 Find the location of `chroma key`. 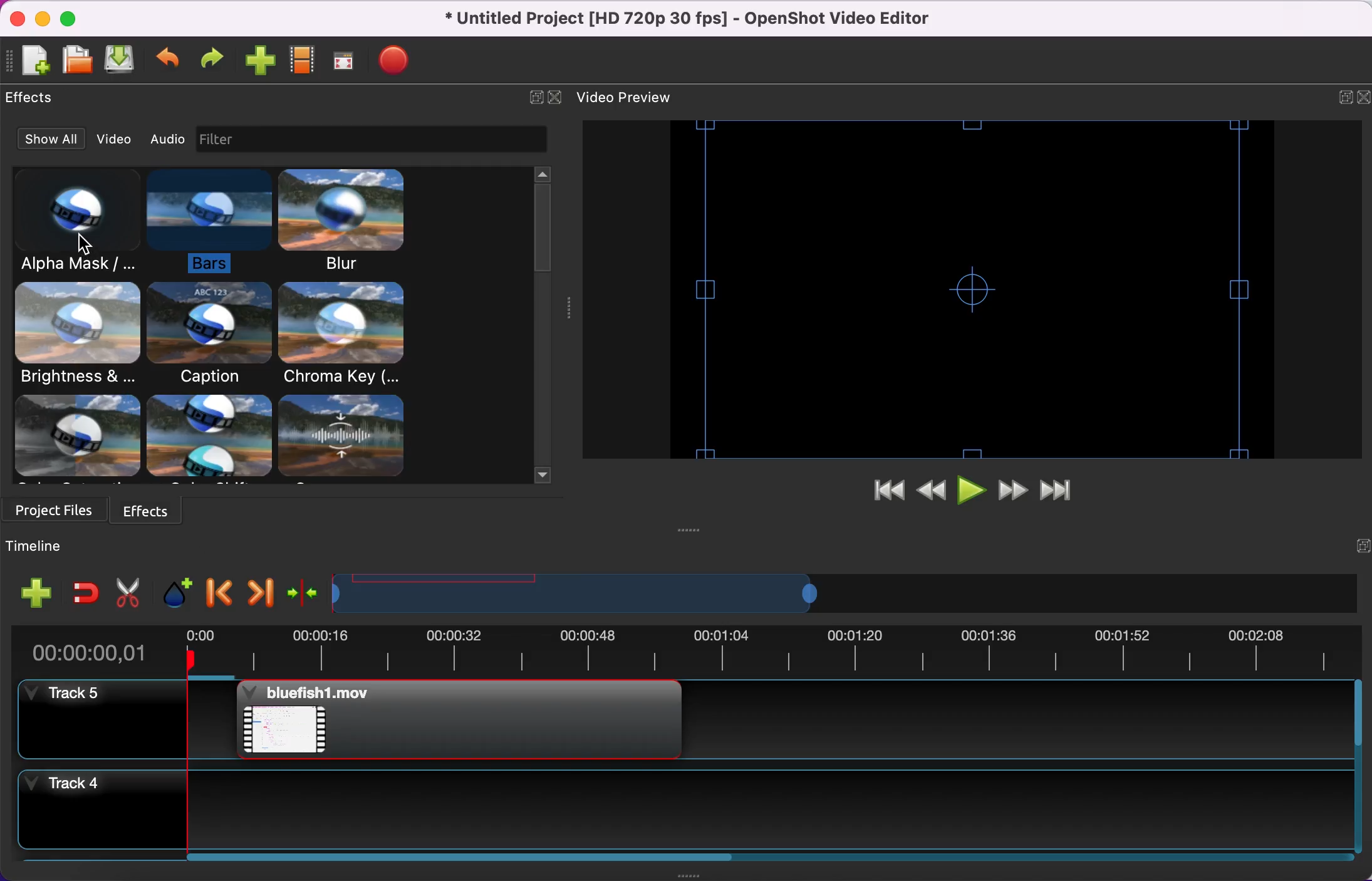

chroma key is located at coordinates (345, 334).